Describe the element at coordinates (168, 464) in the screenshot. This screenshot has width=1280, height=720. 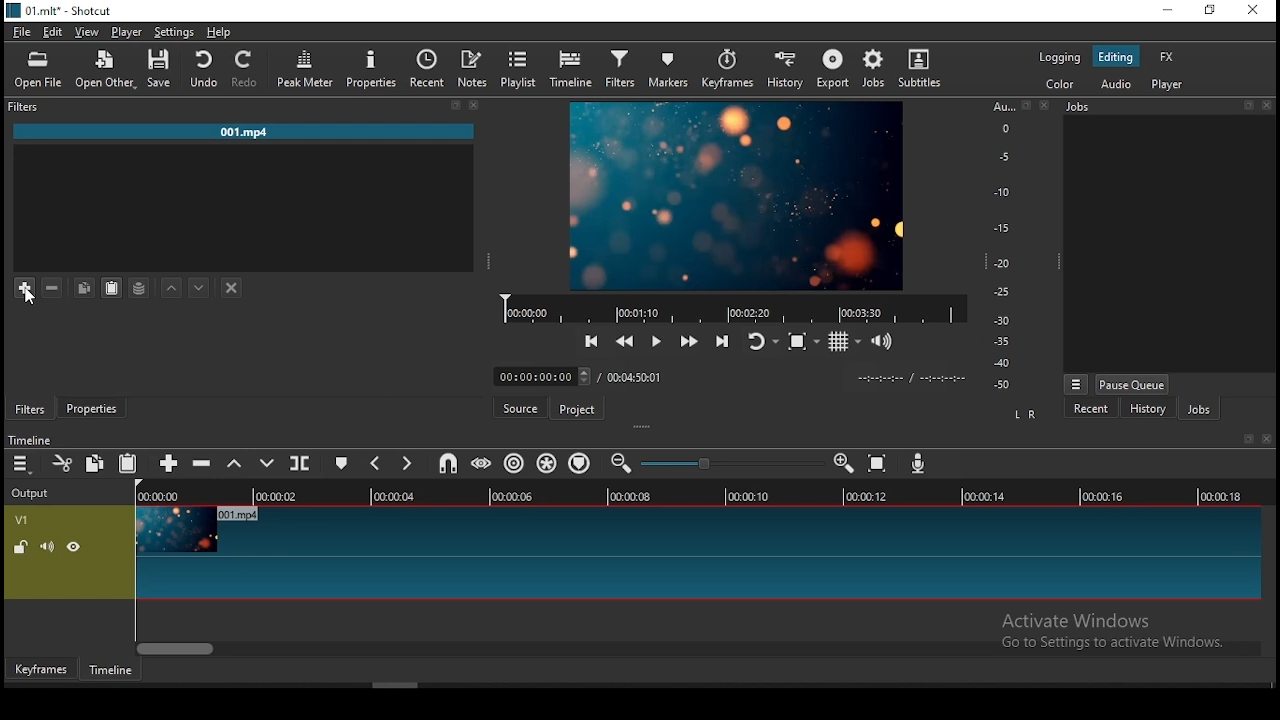
I see `append` at that location.